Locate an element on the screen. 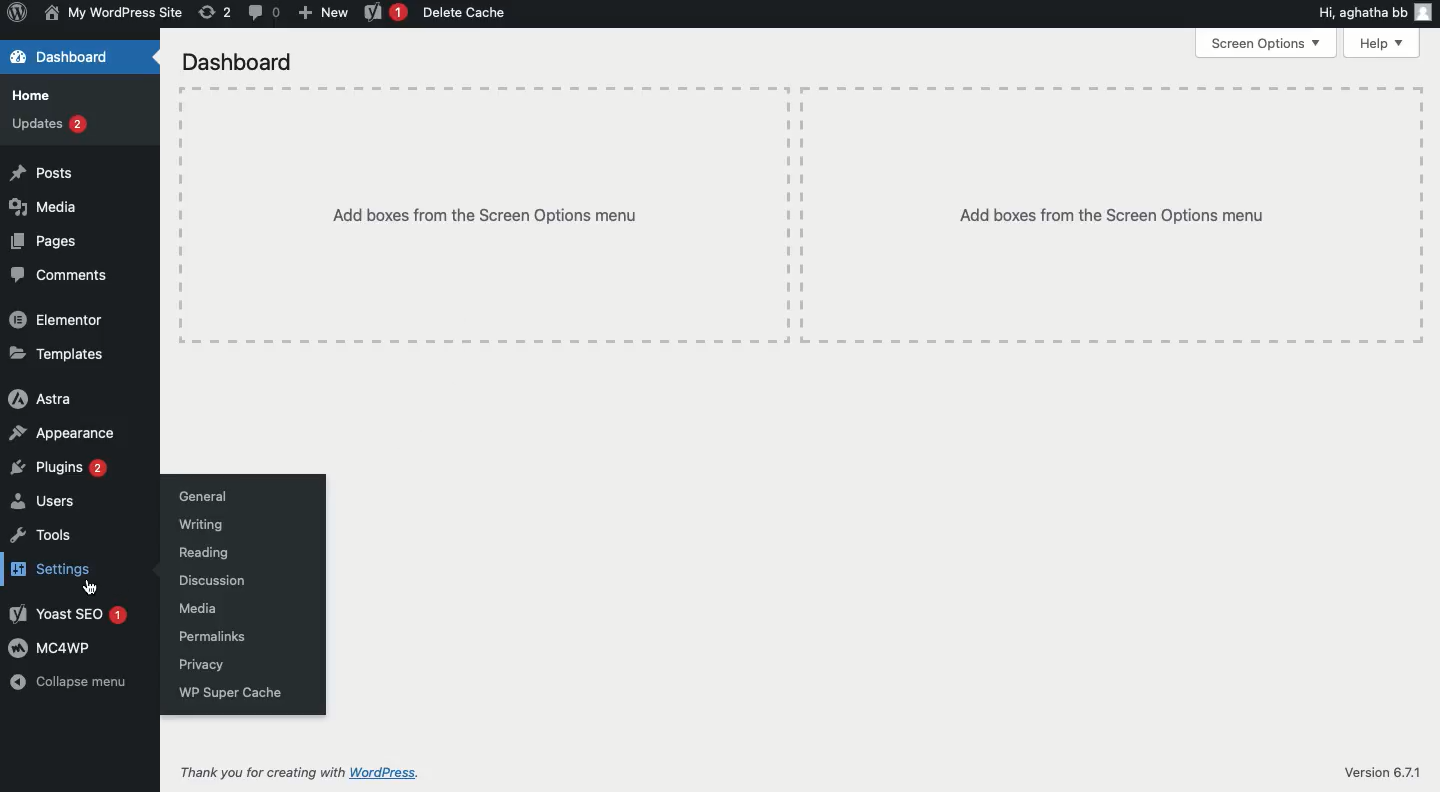 Image resolution: width=1440 pixels, height=792 pixels. Astra is located at coordinates (40, 400).